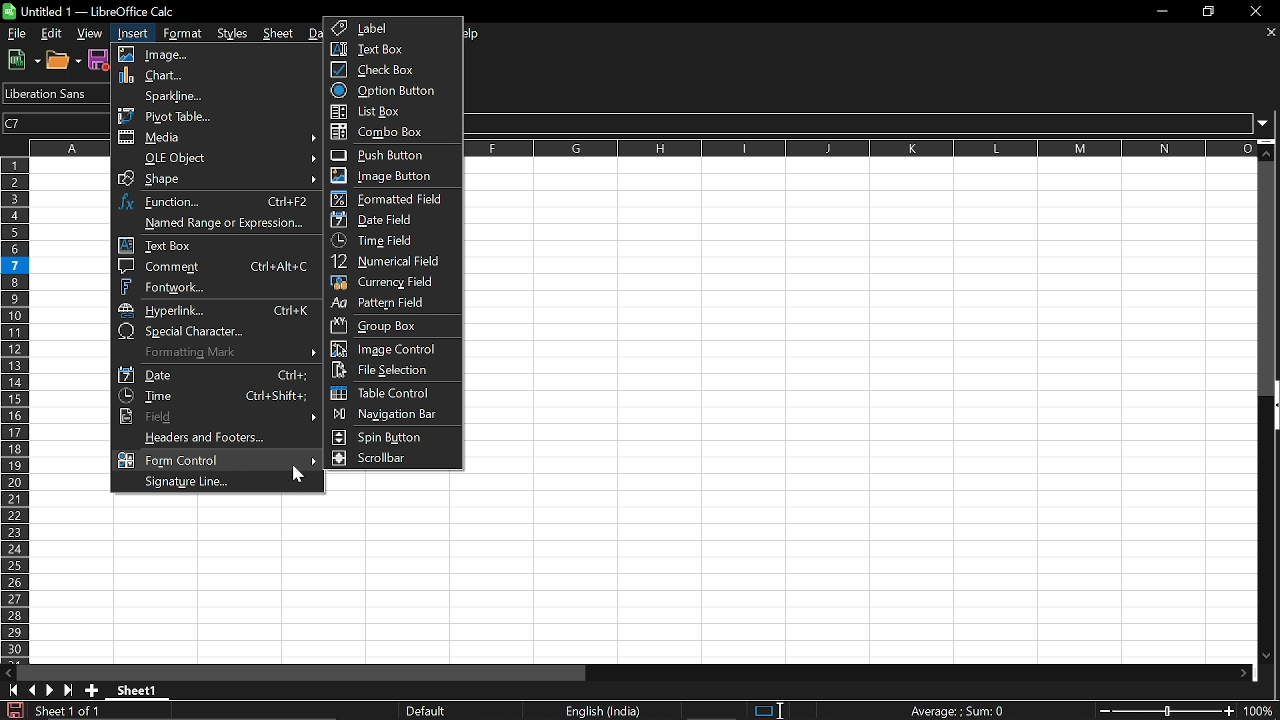  Describe the element at coordinates (130, 34) in the screenshot. I see `Insert` at that location.